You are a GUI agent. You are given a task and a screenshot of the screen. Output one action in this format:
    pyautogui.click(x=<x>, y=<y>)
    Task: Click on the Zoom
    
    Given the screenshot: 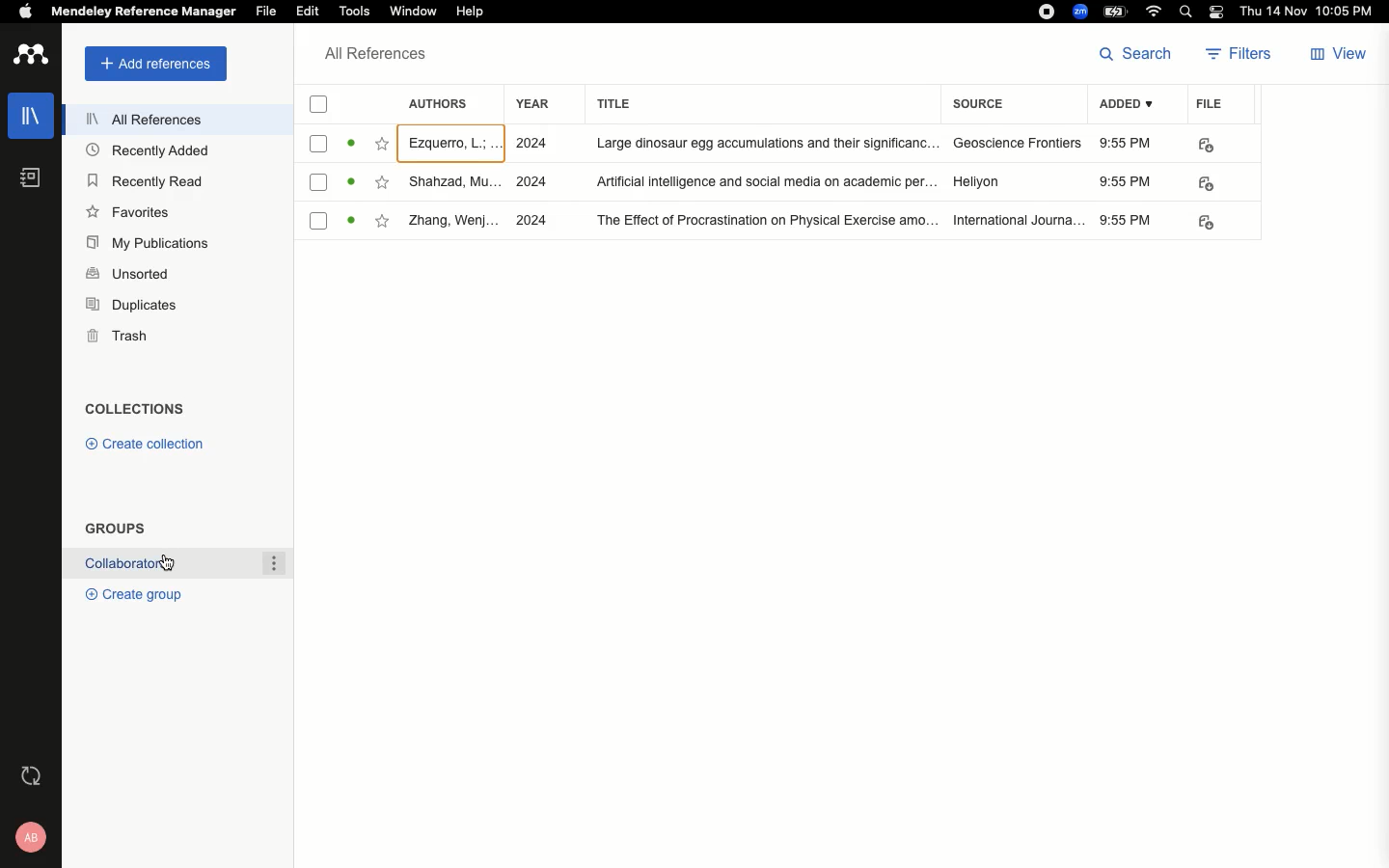 What is the action you would take?
    pyautogui.click(x=1081, y=12)
    